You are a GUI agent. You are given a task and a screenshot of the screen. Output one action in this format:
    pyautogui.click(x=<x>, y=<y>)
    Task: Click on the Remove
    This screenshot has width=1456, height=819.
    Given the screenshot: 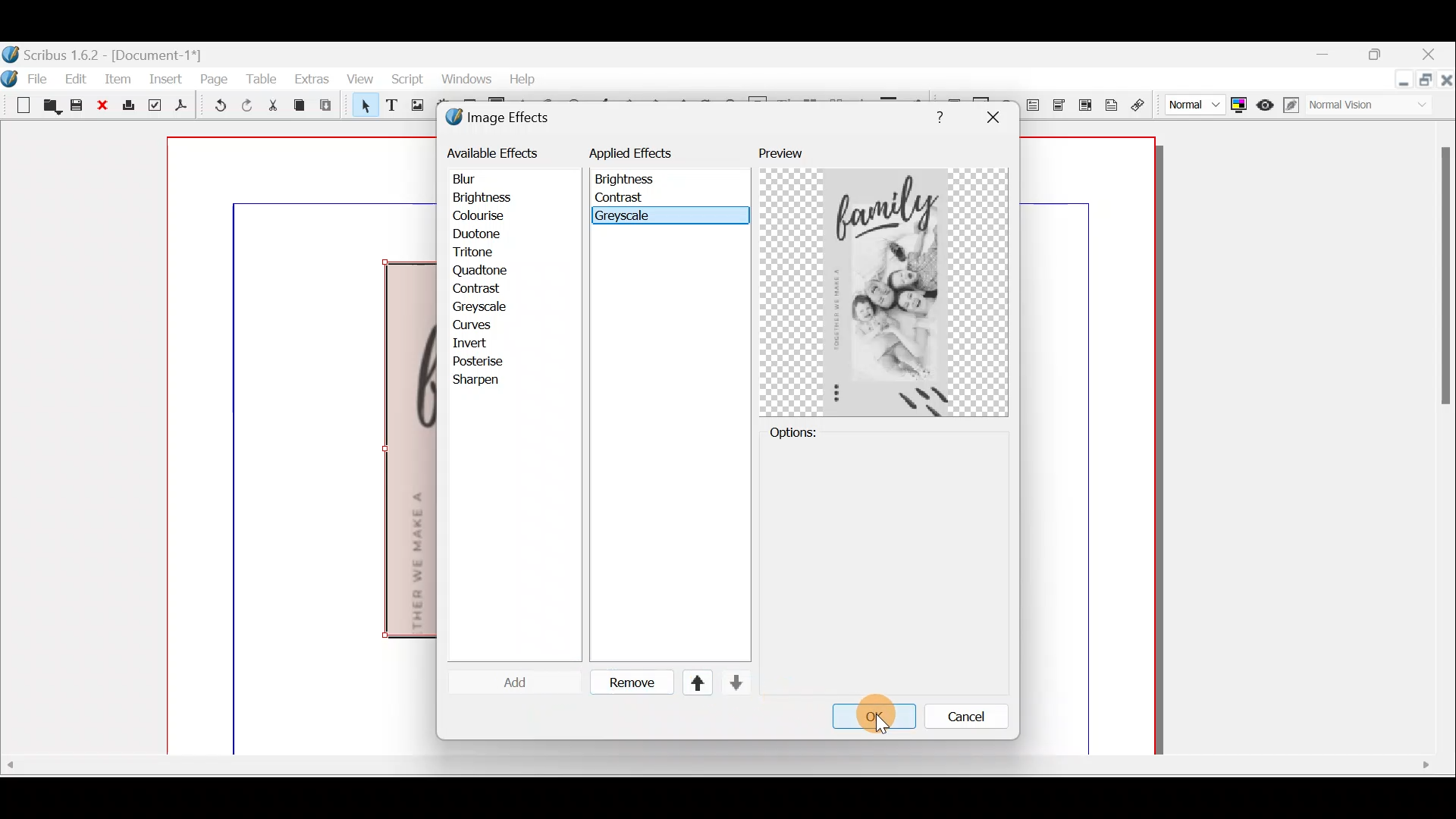 What is the action you would take?
    pyautogui.click(x=631, y=682)
    